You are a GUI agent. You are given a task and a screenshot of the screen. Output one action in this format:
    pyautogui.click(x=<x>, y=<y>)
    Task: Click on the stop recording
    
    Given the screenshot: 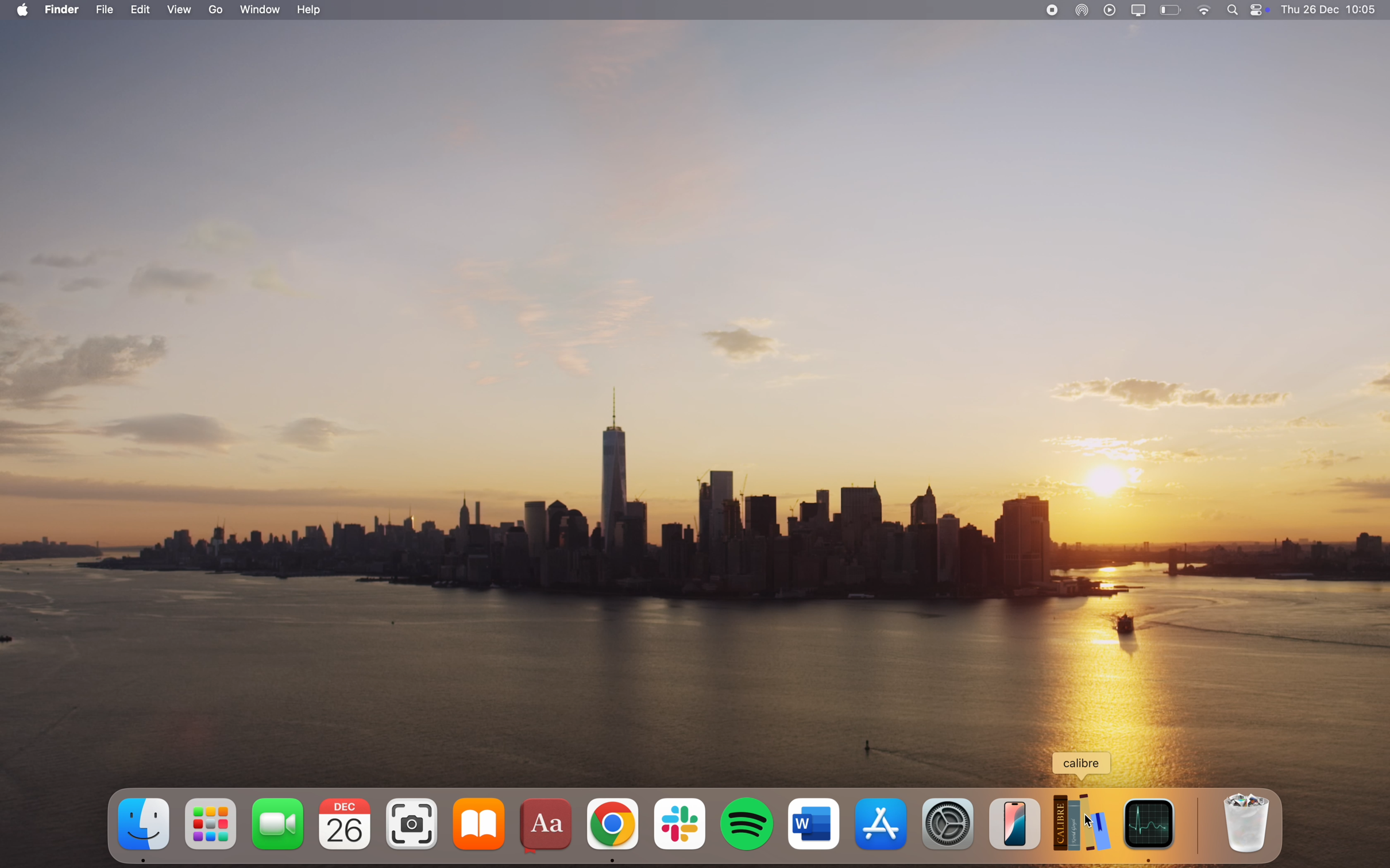 What is the action you would take?
    pyautogui.click(x=1049, y=11)
    